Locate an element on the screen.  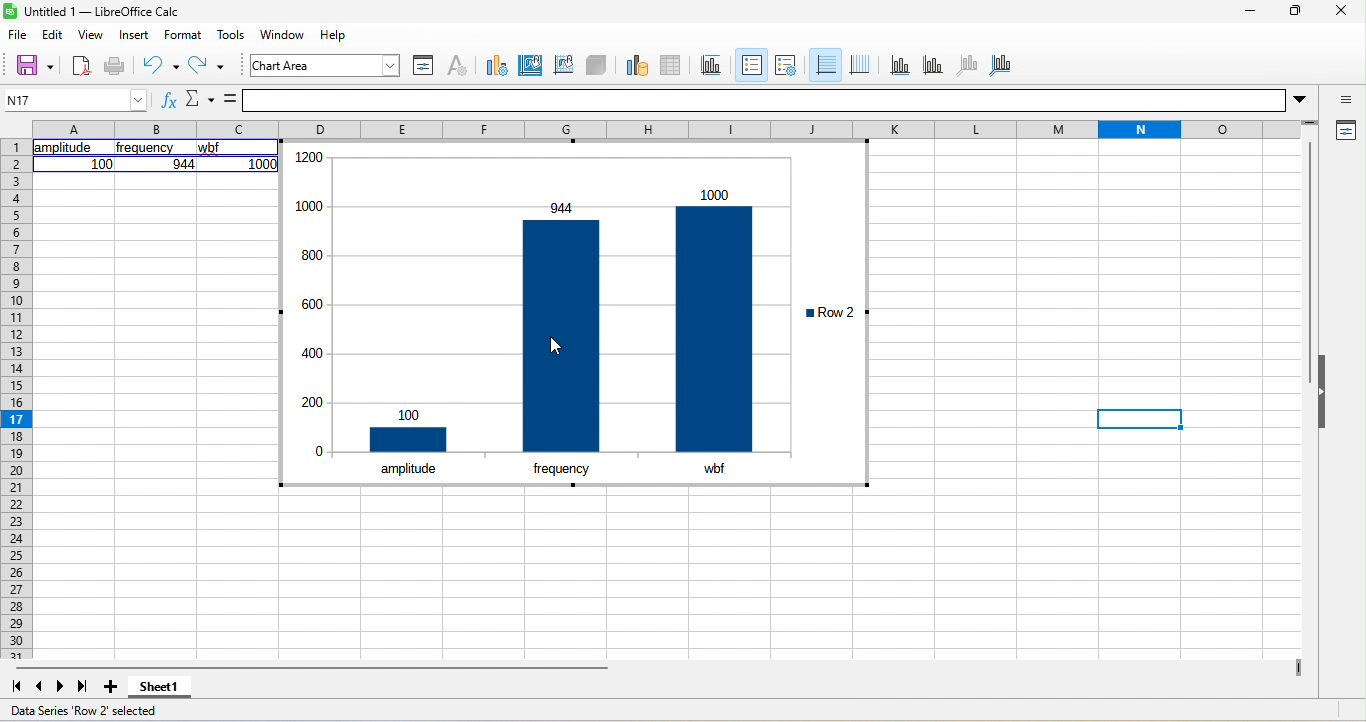
first sheet is located at coordinates (17, 687).